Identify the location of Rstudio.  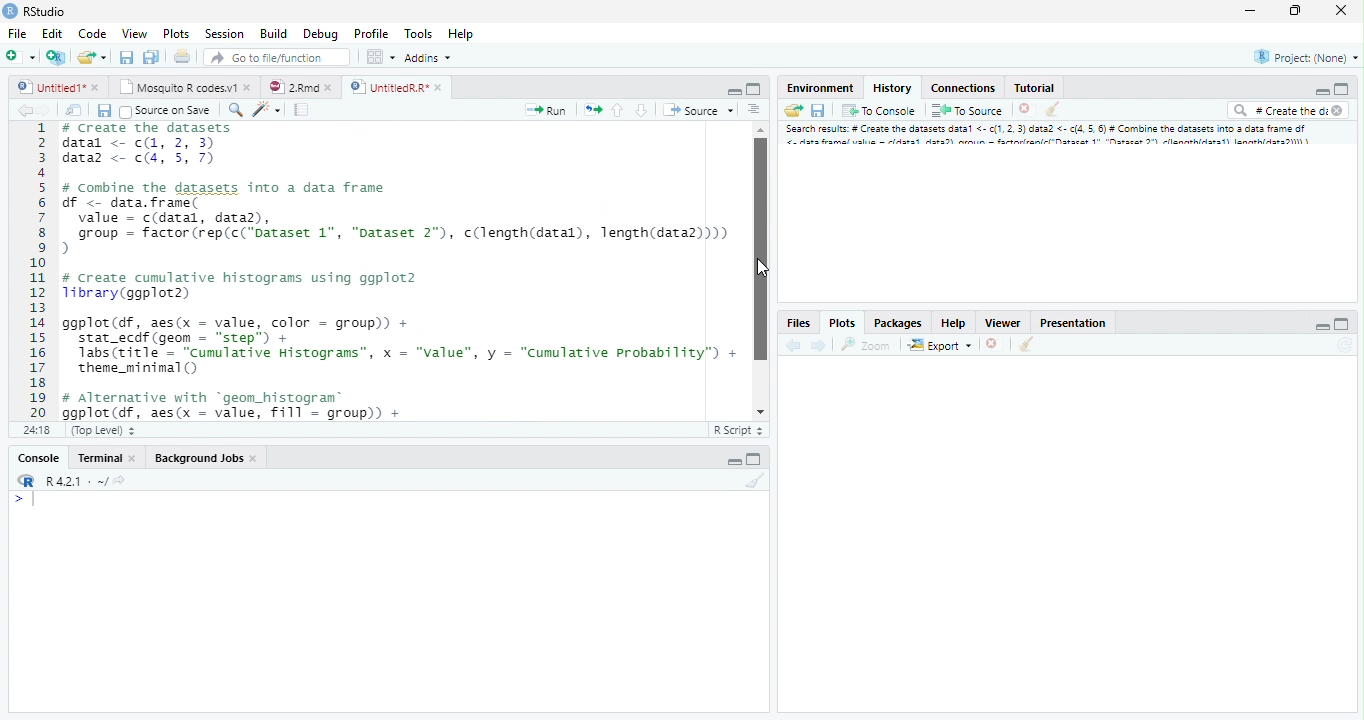
(34, 10).